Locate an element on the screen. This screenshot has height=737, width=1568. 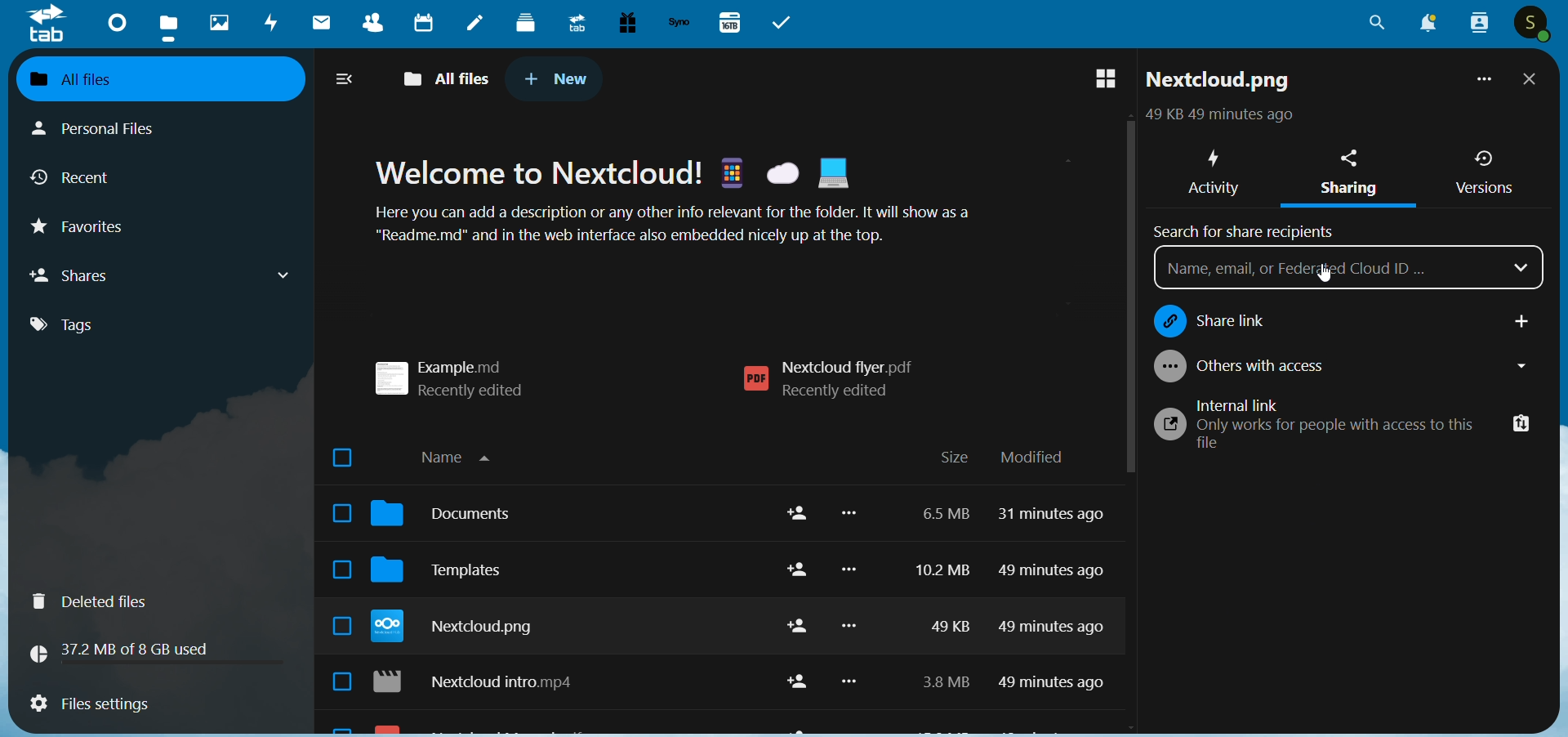
user is located at coordinates (1534, 25).